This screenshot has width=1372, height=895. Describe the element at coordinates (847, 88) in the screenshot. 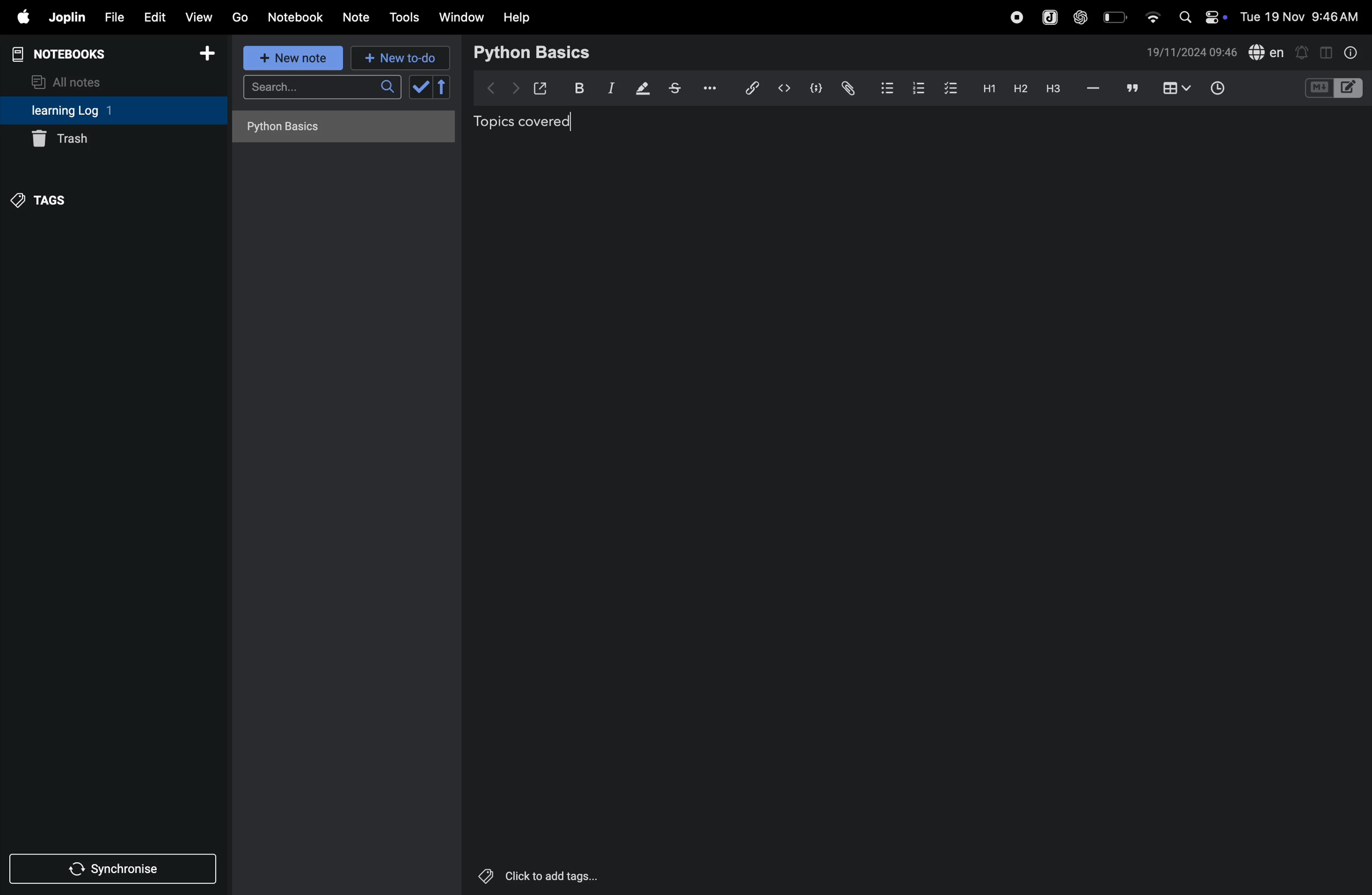

I see `attach file` at that location.